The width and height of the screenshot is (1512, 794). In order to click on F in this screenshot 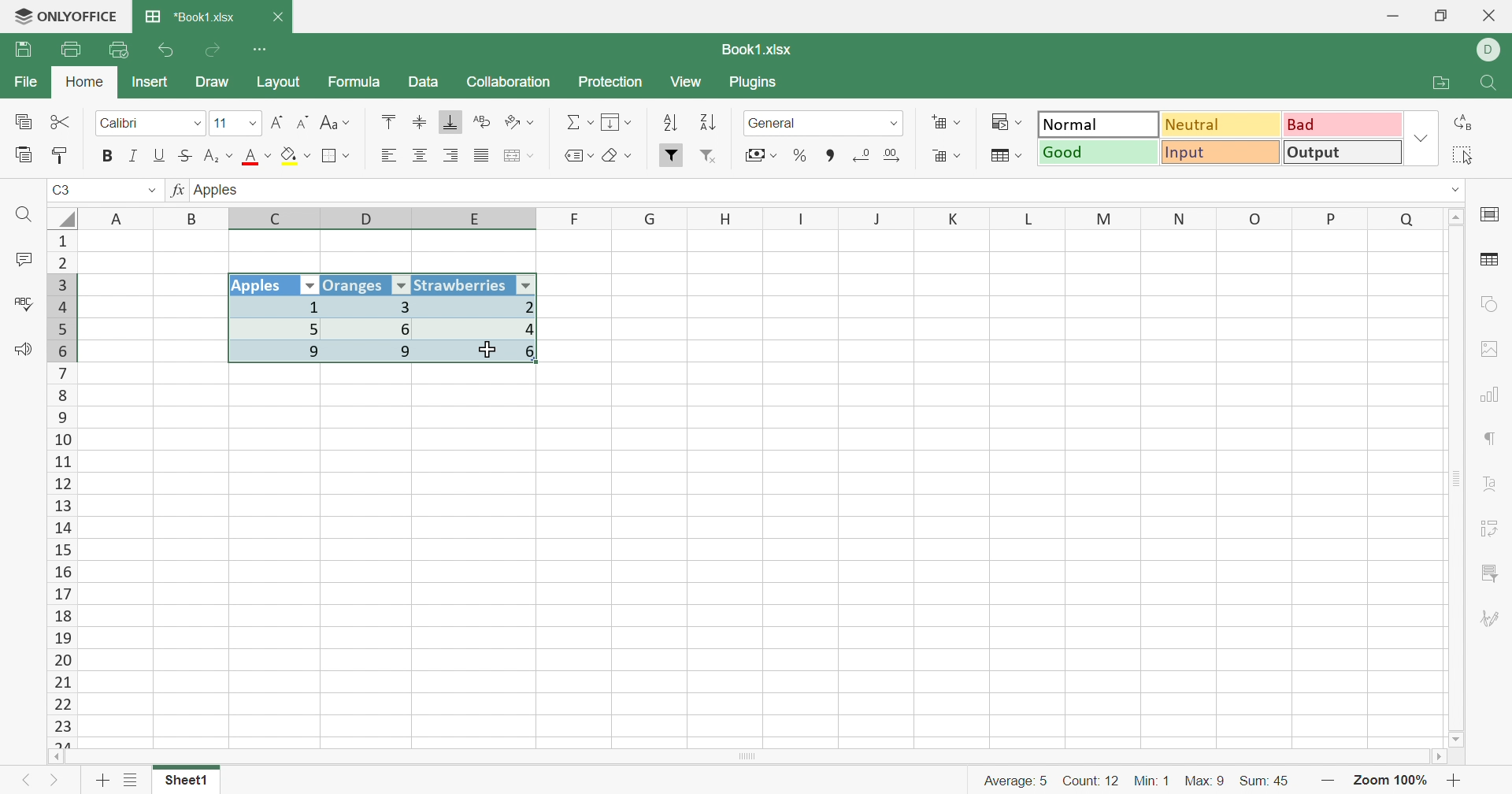, I will do `click(576, 218)`.